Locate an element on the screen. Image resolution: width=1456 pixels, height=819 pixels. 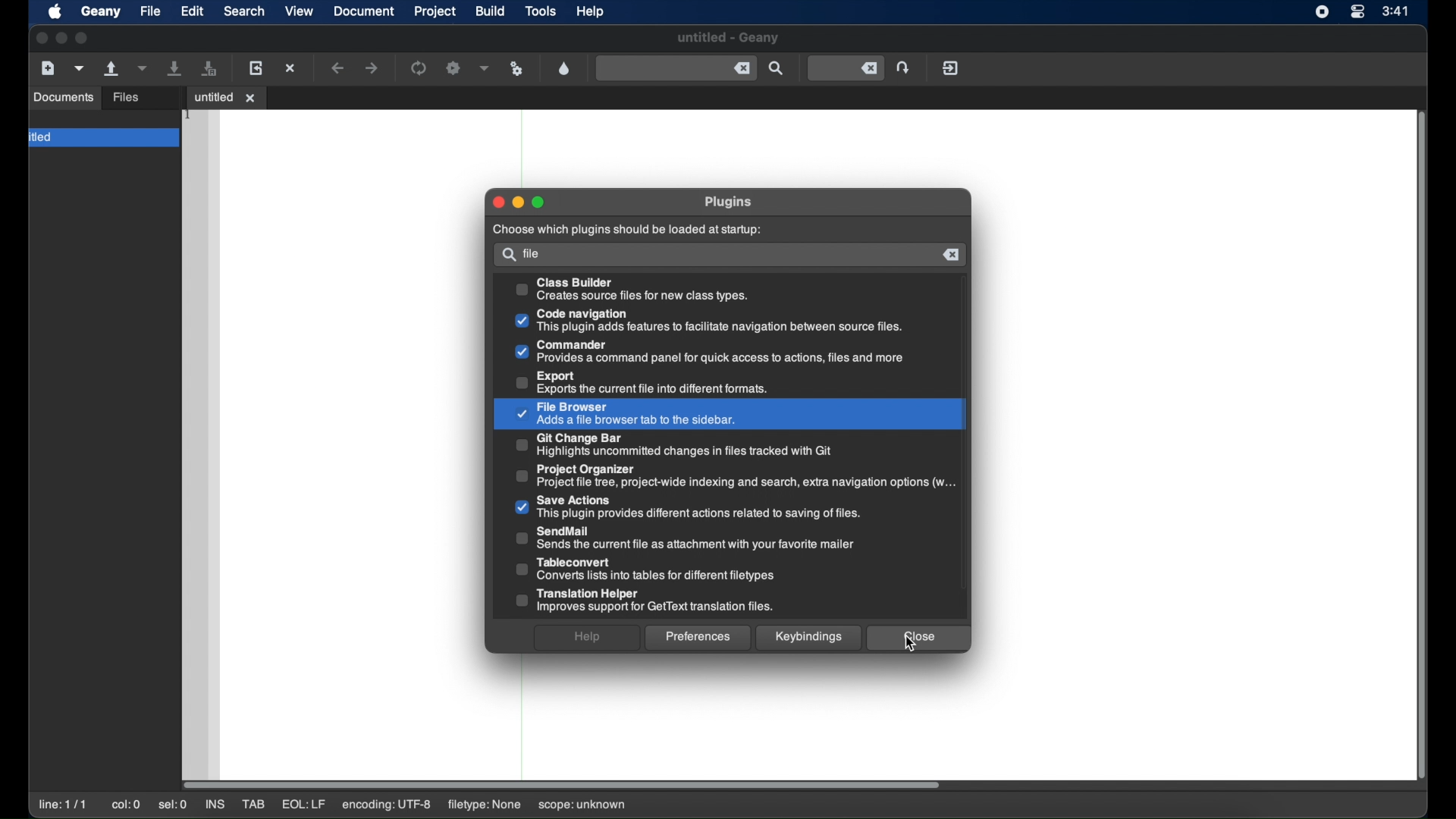
save all open files is located at coordinates (211, 68).